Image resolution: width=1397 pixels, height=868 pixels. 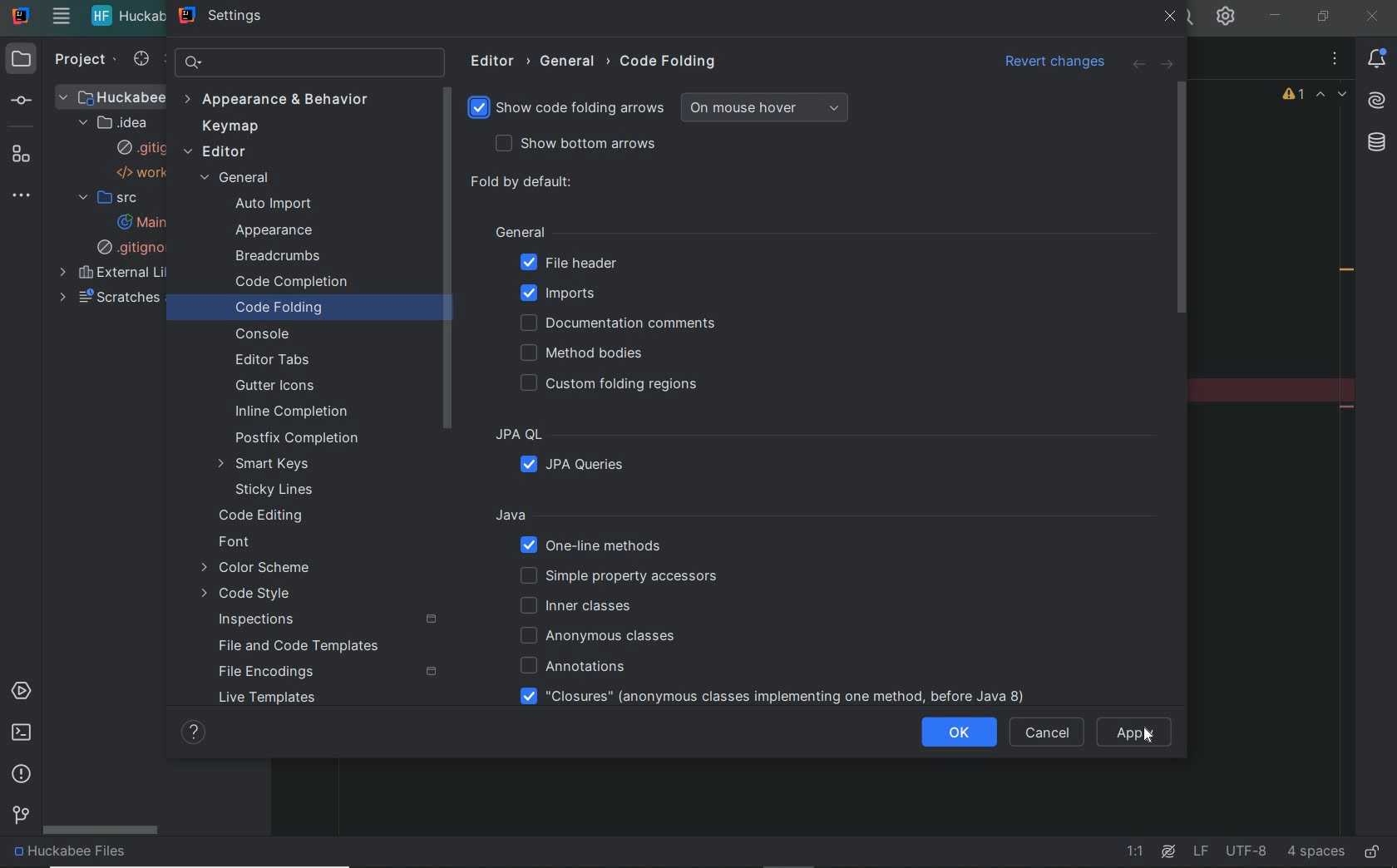 I want to click on settings, so click(x=1227, y=18).